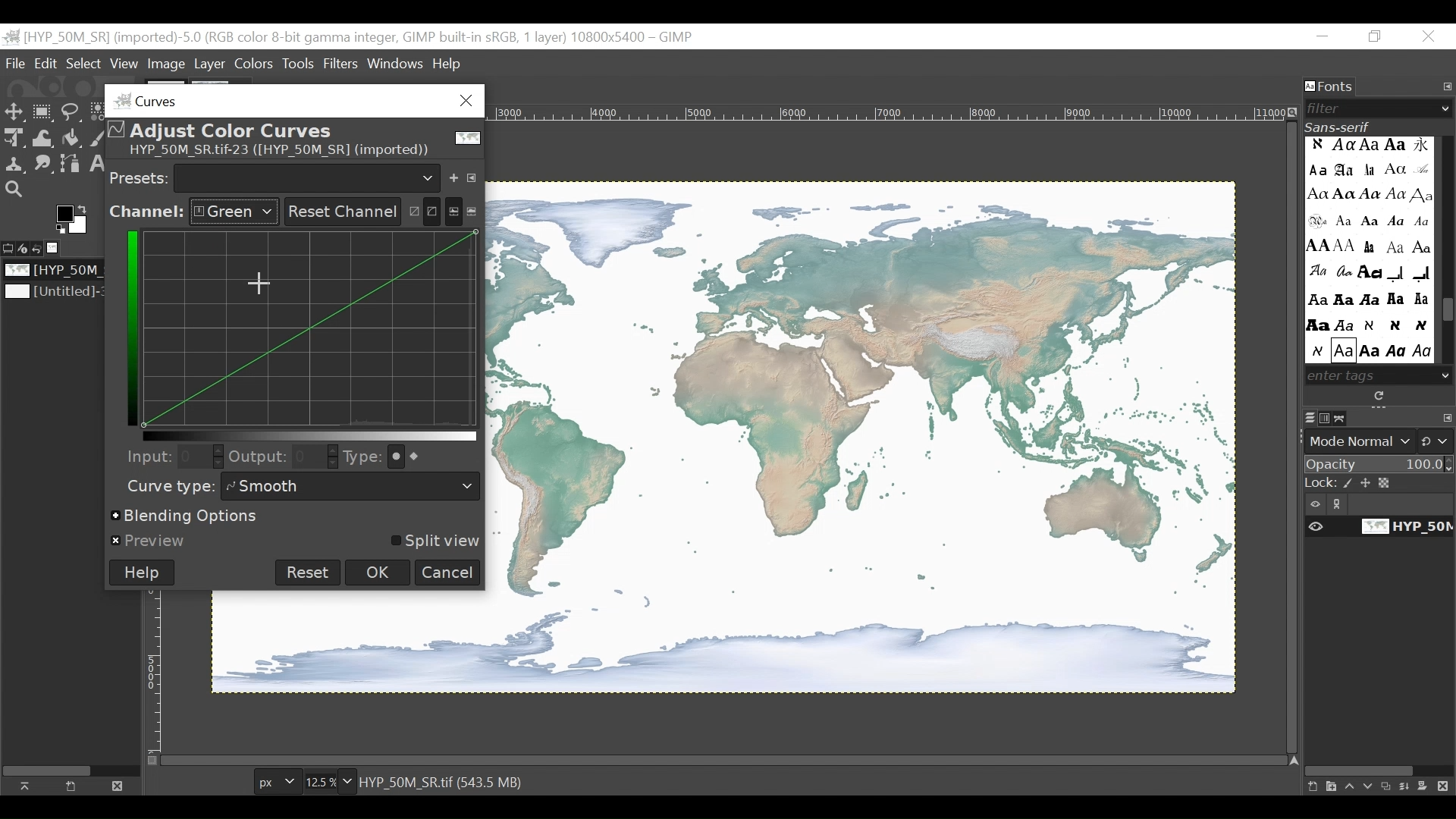 Image resolution: width=1456 pixels, height=819 pixels. I want to click on Field, so click(199, 456).